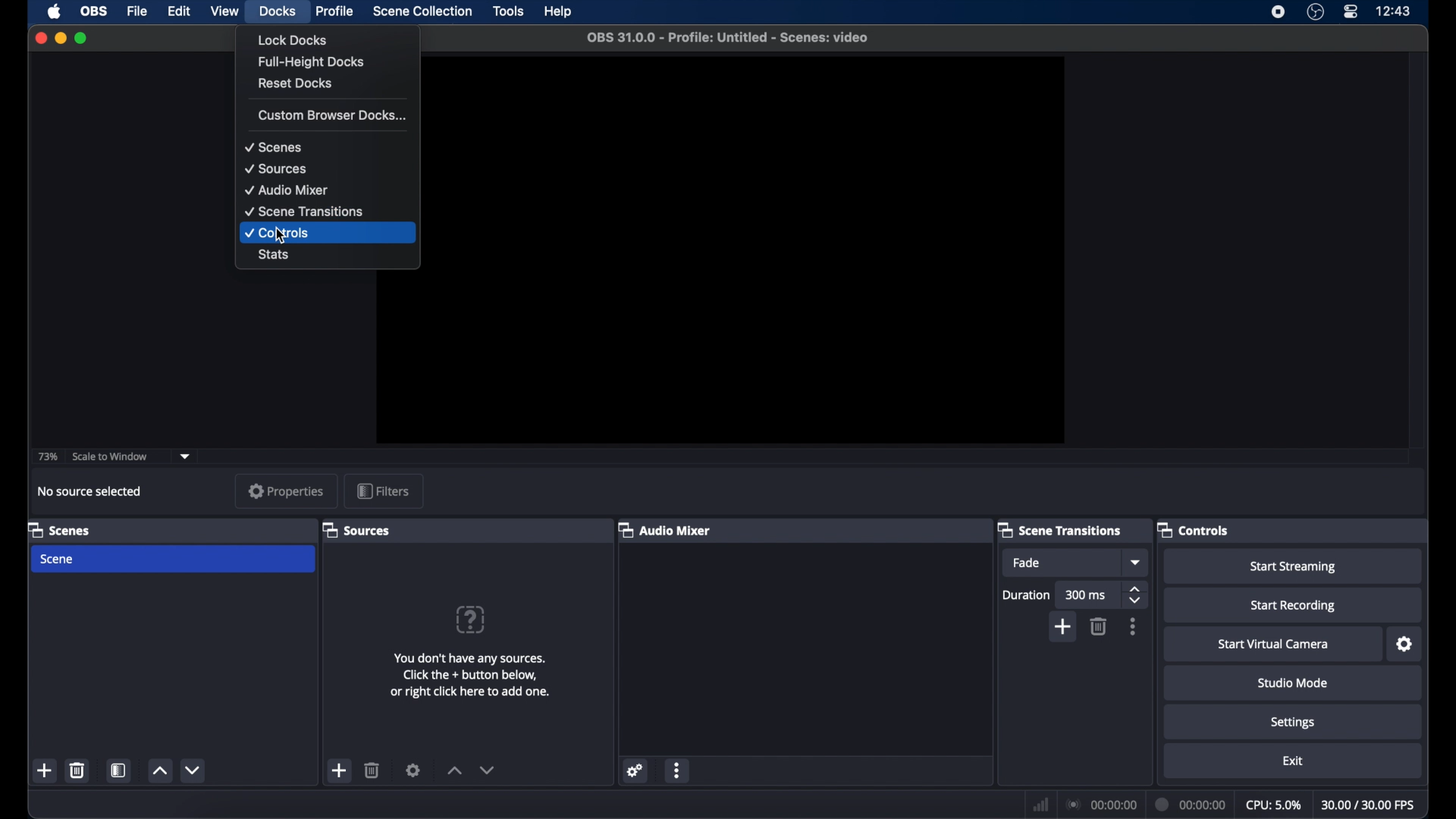 Image resolution: width=1456 pixels, height=819 pixels. What do you see at coordinates (276, 168) in the screenshot?
I see `sources` at bounding box center [276, 168].